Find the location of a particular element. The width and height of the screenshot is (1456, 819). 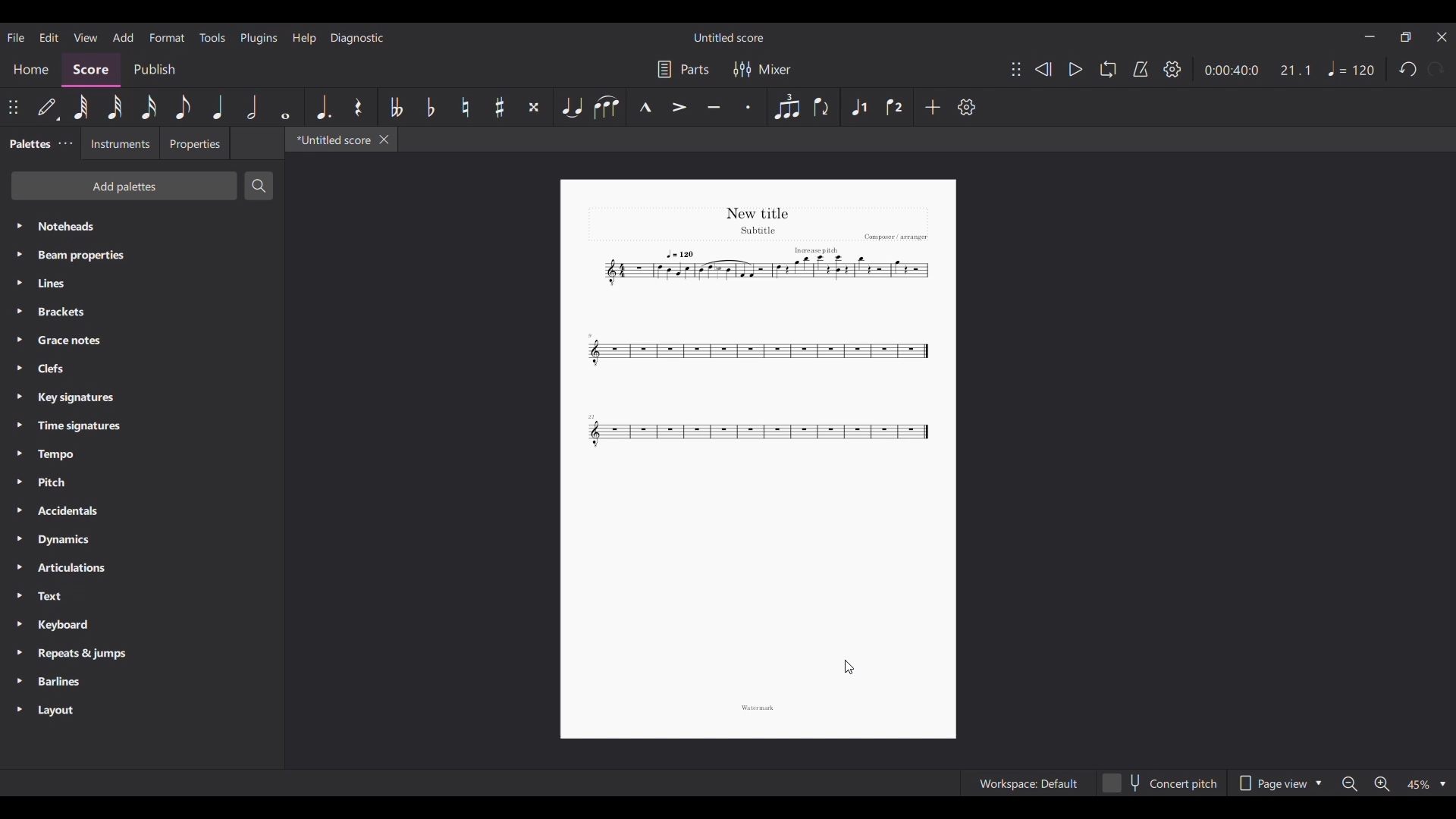

Undo is located at coordinates (1407, 69).